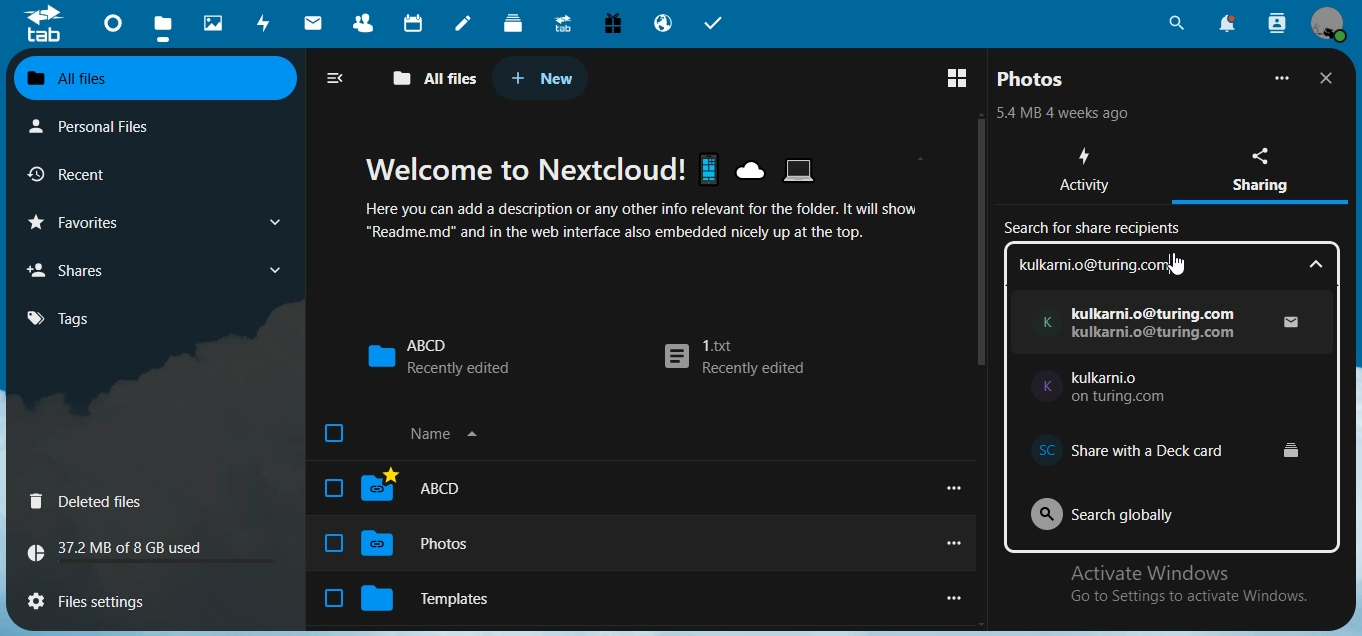 This screenshot has width=1362, height=636. What do you see at coordinates (369, 25) in the screenshot?
I see `contacts` at bounding box center [369, 25].